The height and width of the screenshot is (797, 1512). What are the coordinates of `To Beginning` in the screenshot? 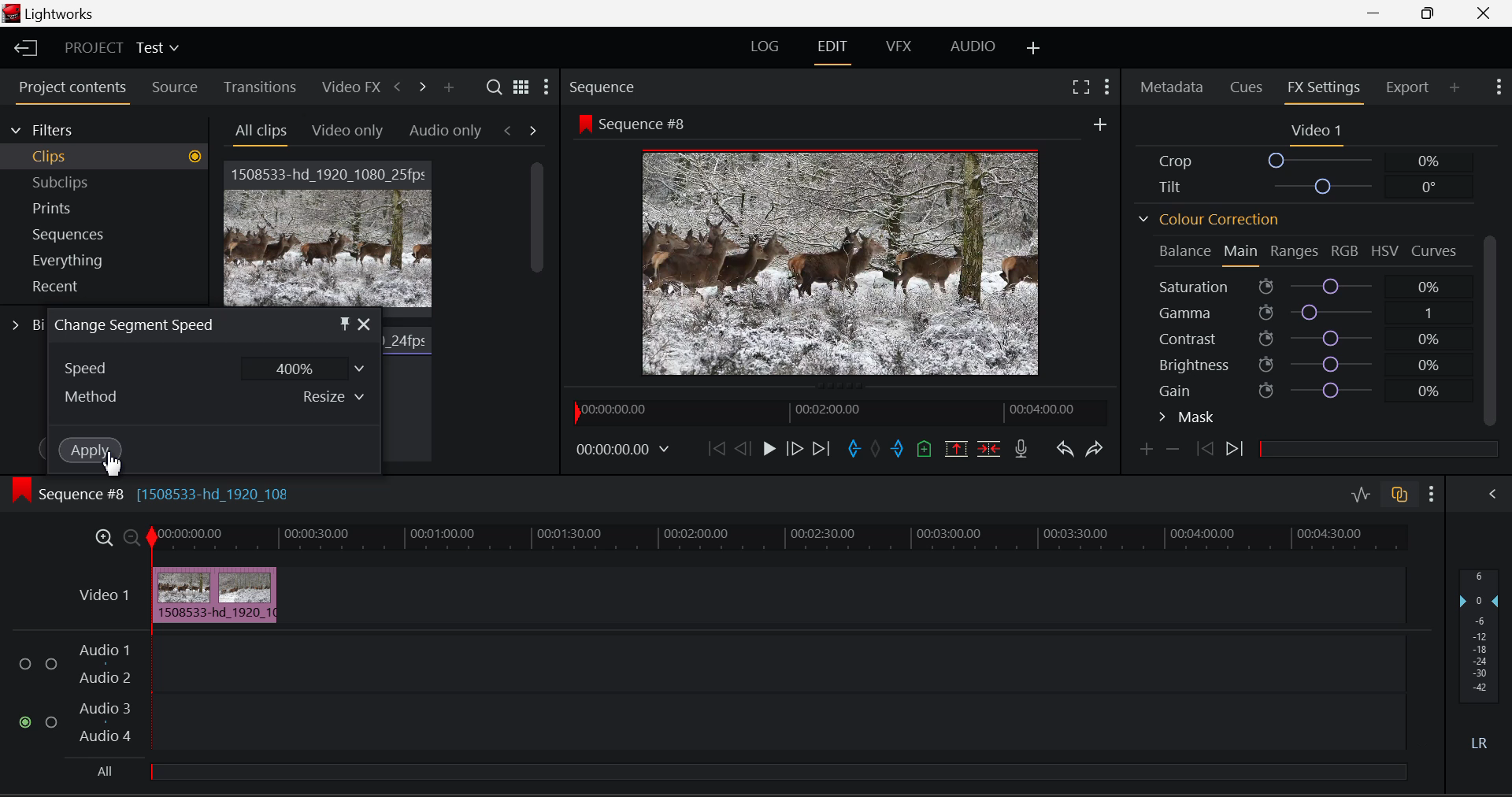 It's located at (714, 450).